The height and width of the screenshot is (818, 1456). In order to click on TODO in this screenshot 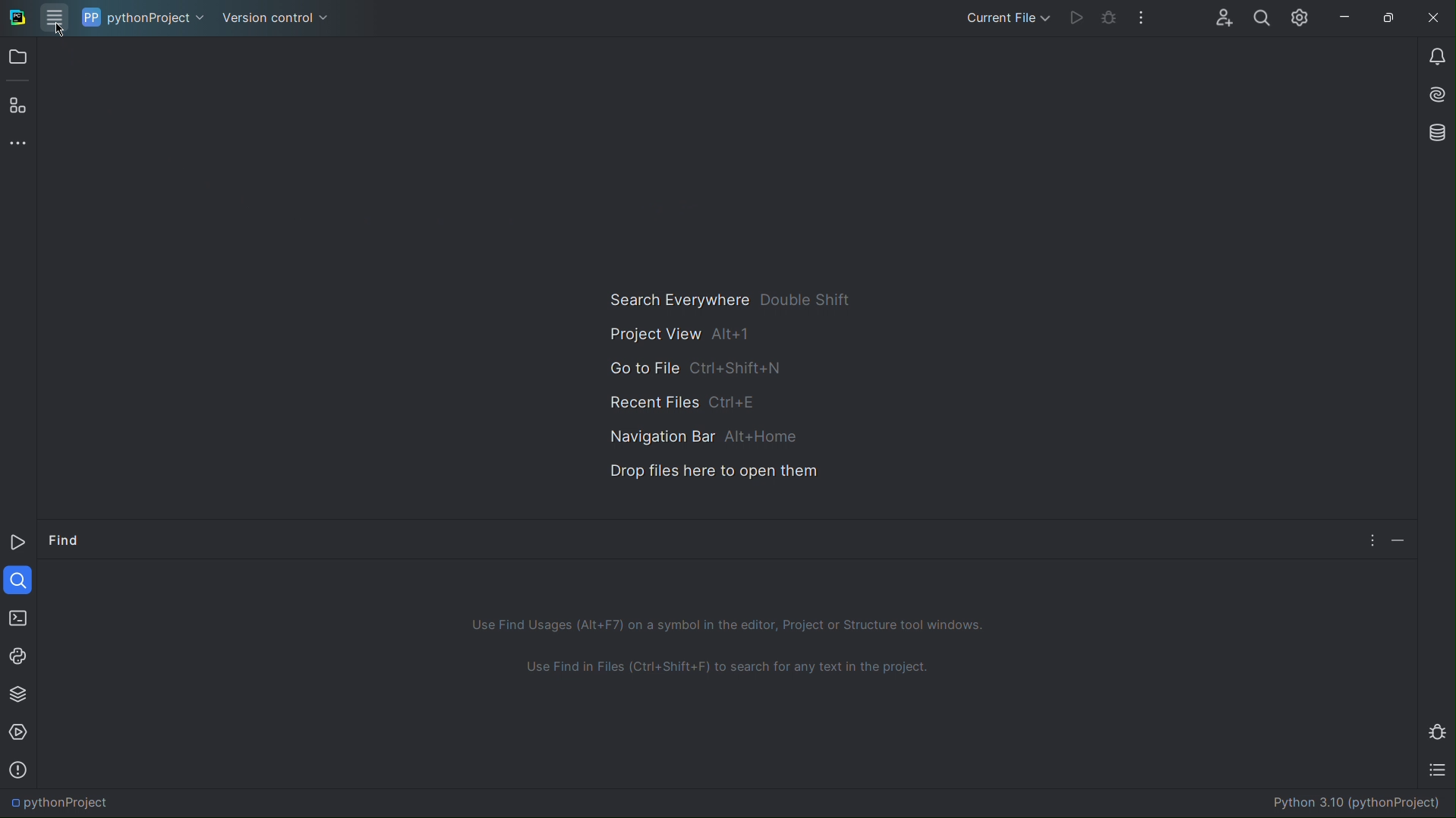, I will do `click(1441, 772)`.